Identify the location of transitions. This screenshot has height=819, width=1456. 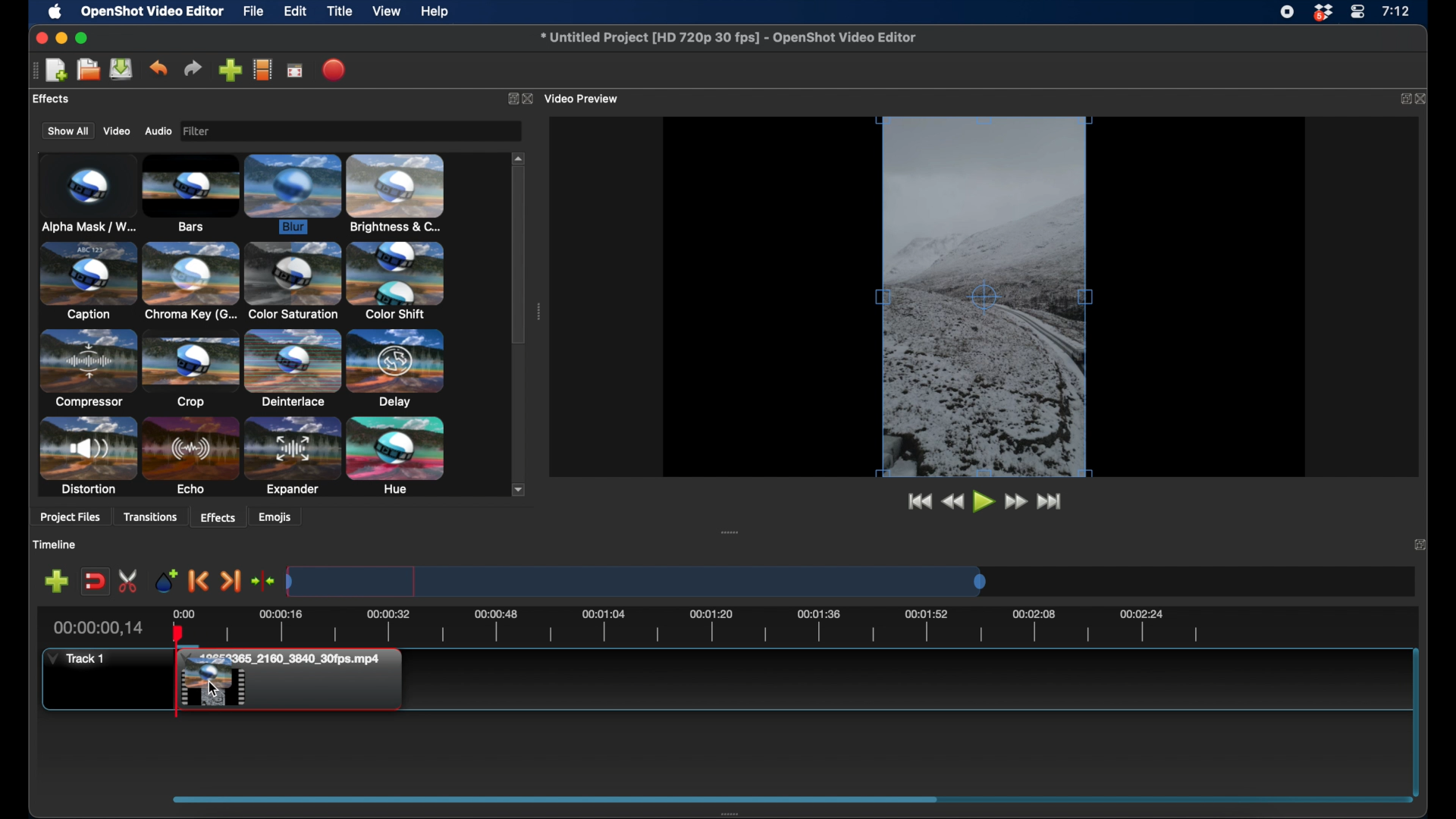
(150, 517).